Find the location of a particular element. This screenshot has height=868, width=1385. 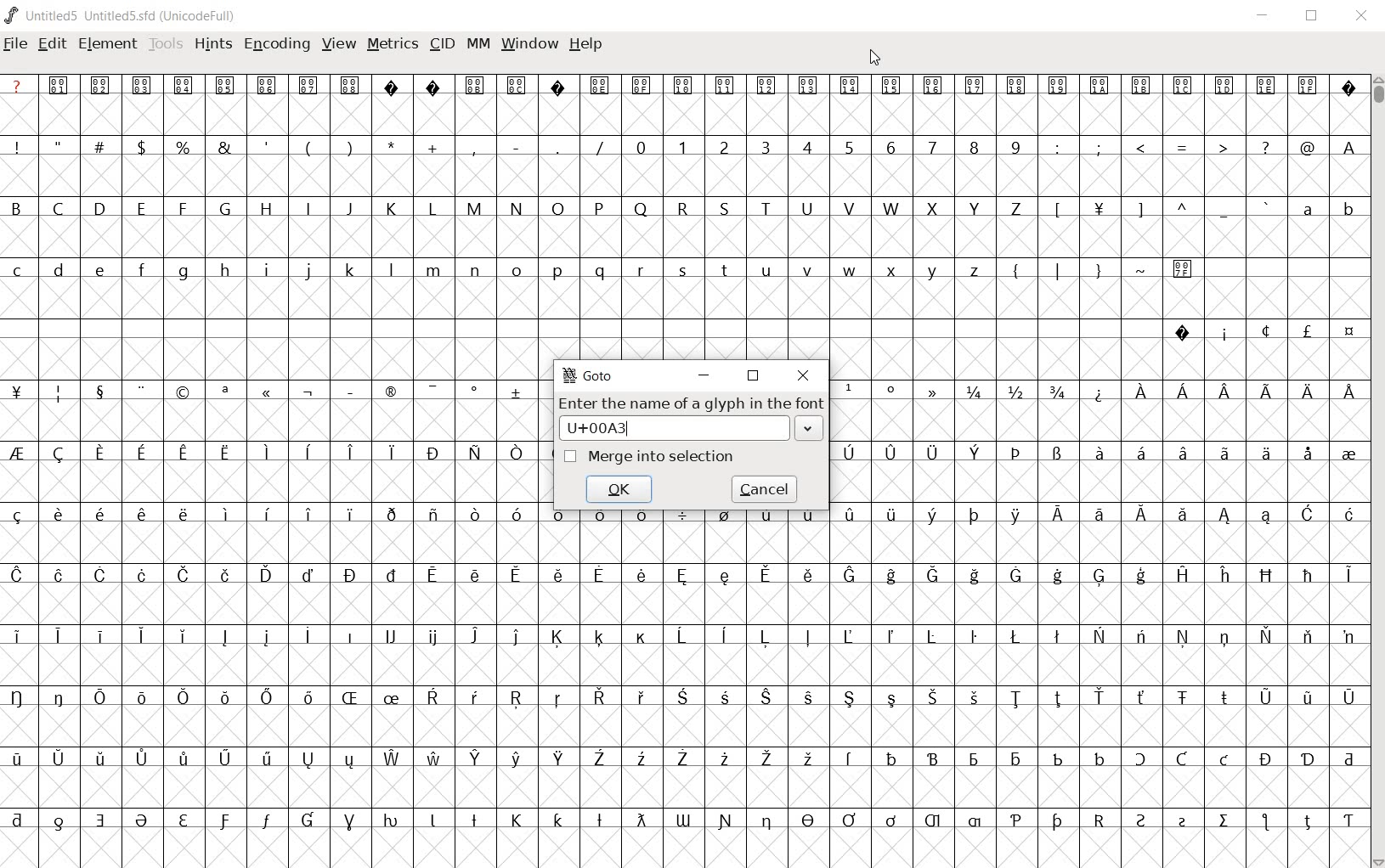

Symbol is located at coordinates (225, 514).